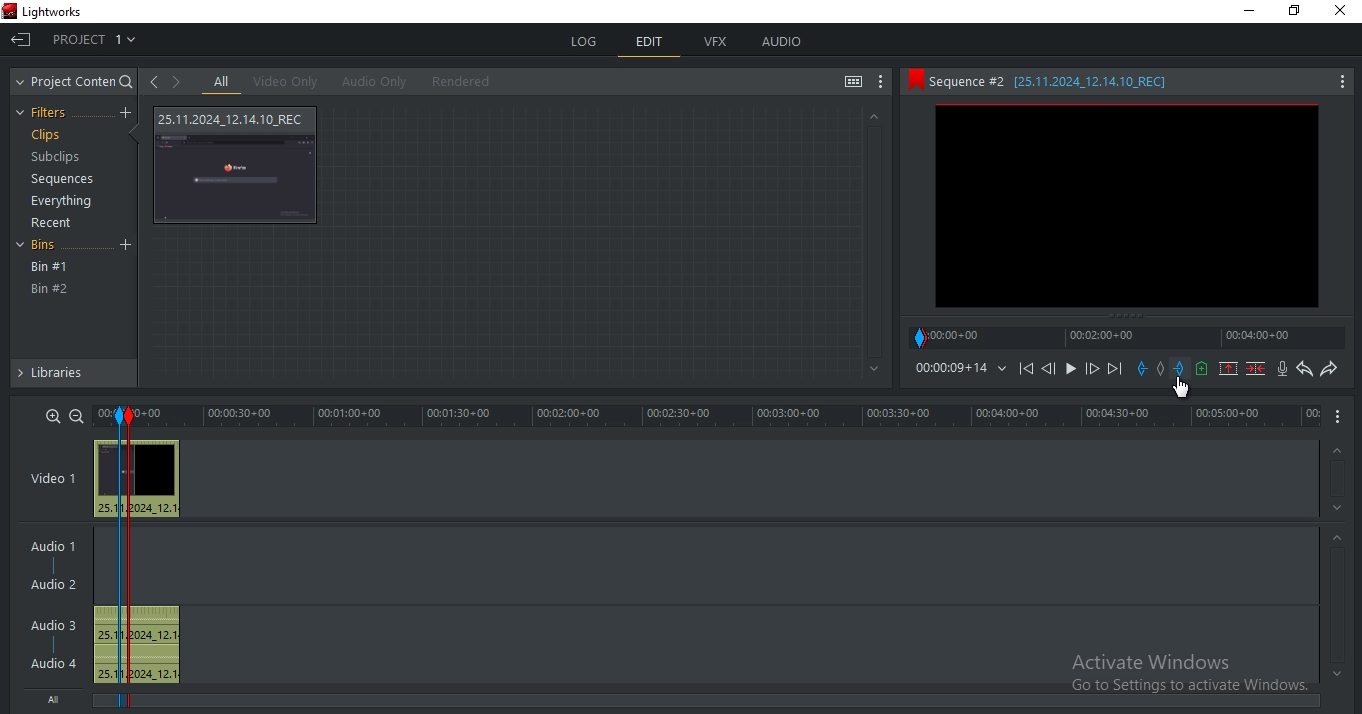  What do you see at coordinates (1164, 368) in the screenshot?
I see `add mark` at bounding box center [1164, 368].